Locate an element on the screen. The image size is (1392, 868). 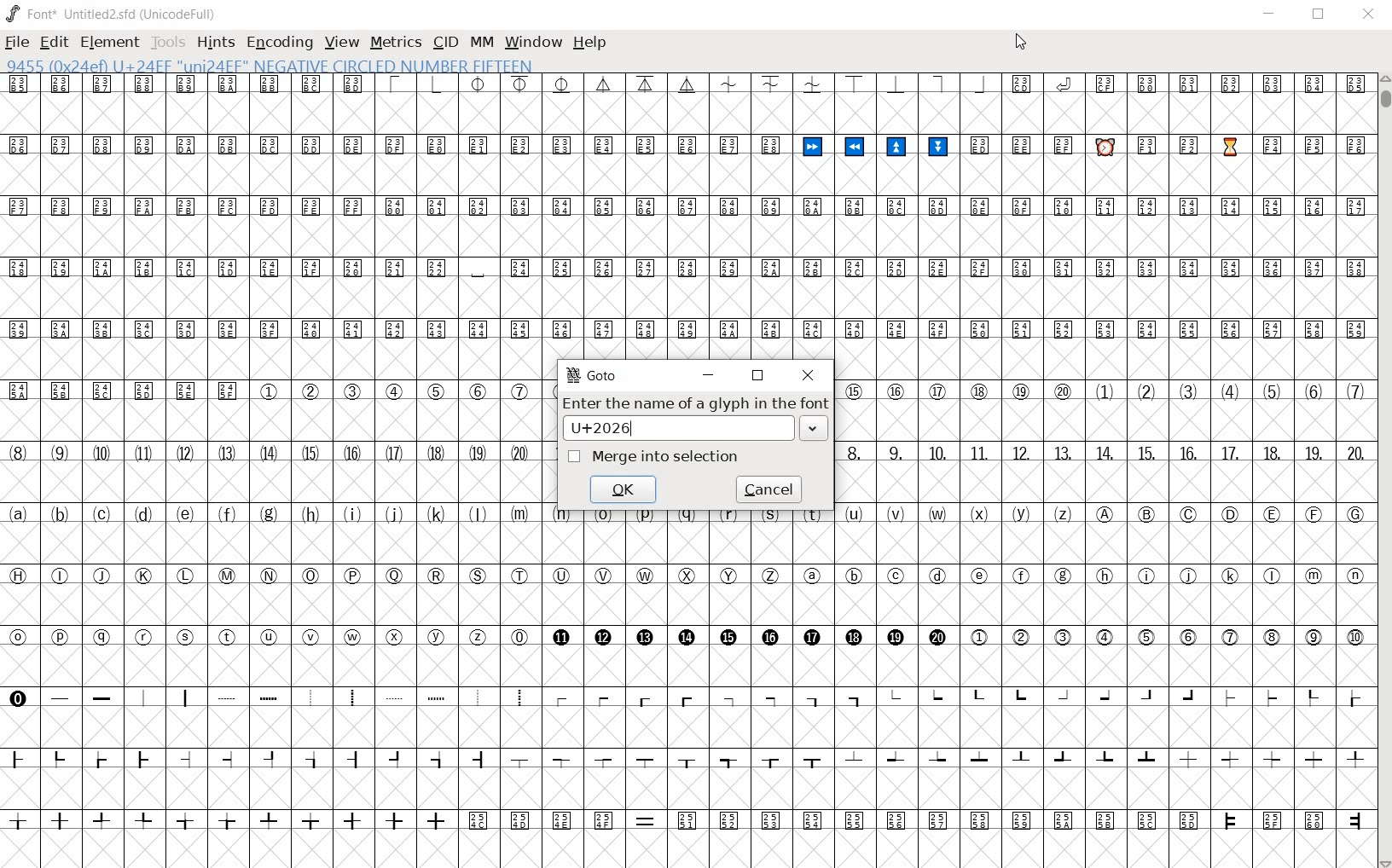
MM is located at coordinates (481, 40).